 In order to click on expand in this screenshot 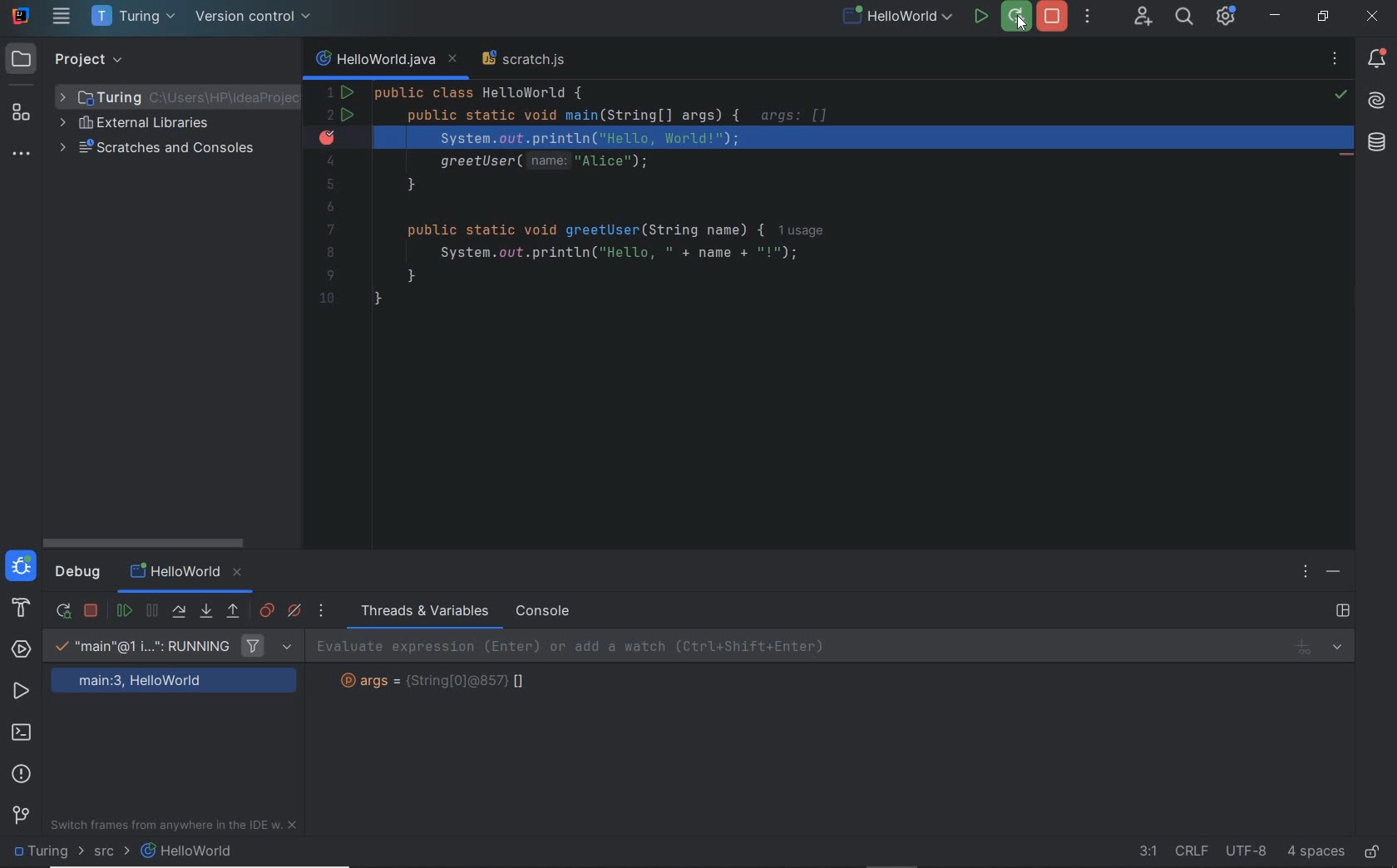, I will do `click(287, 648)`.